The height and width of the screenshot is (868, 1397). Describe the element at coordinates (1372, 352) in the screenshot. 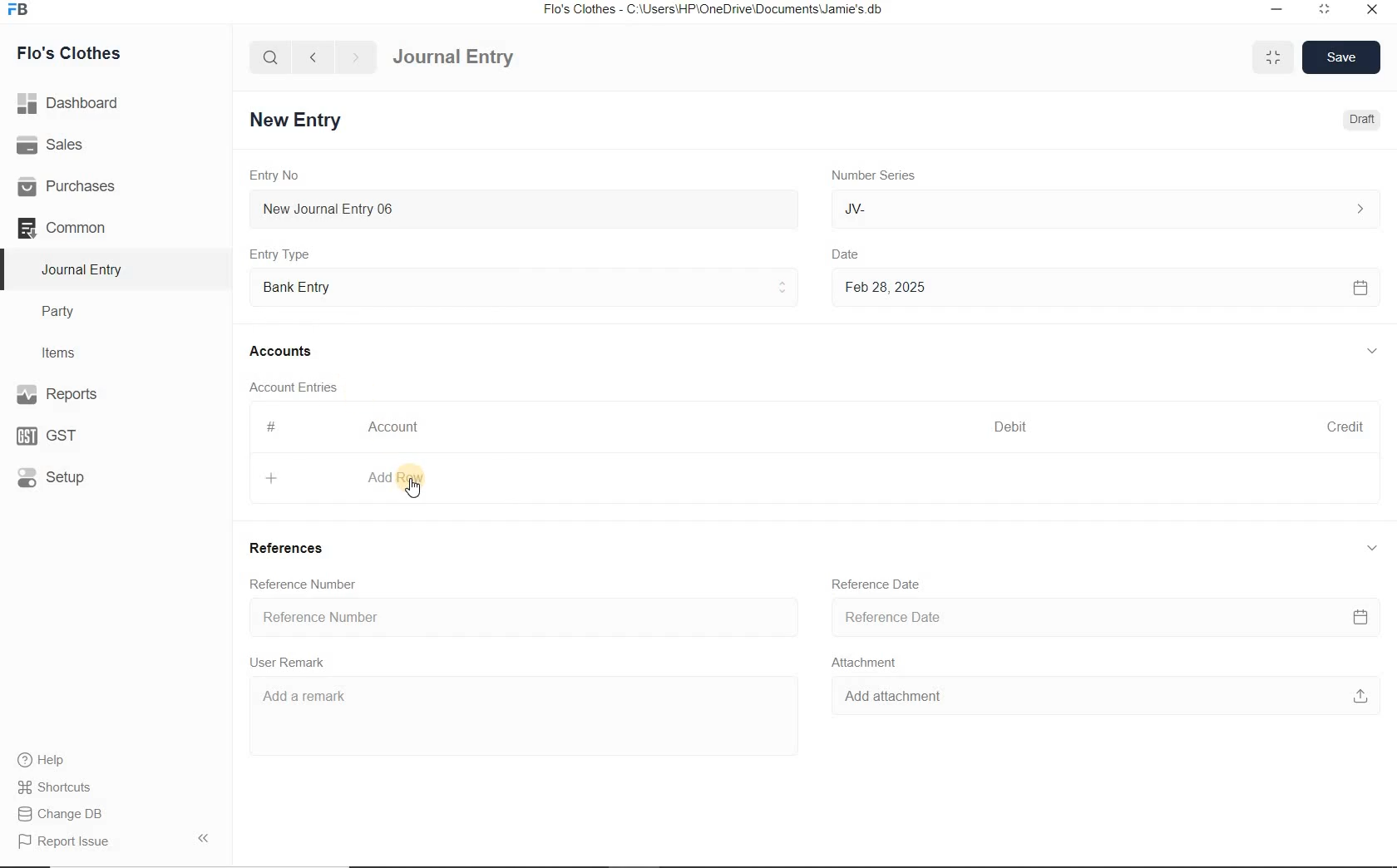

I see `collapse` at that location.